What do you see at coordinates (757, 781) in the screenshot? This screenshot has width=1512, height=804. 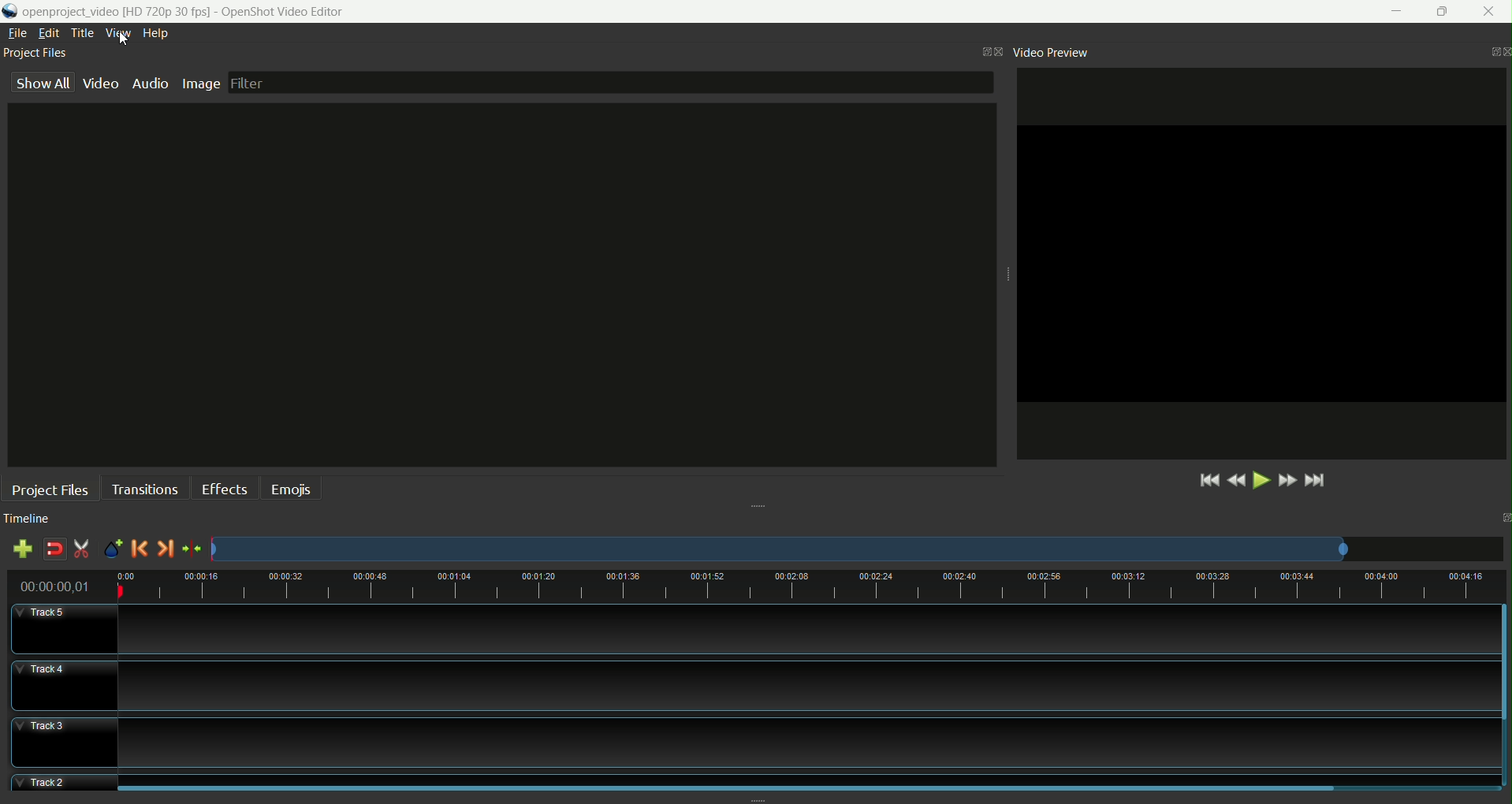 I see `track2` at bounding box center [757, 781].